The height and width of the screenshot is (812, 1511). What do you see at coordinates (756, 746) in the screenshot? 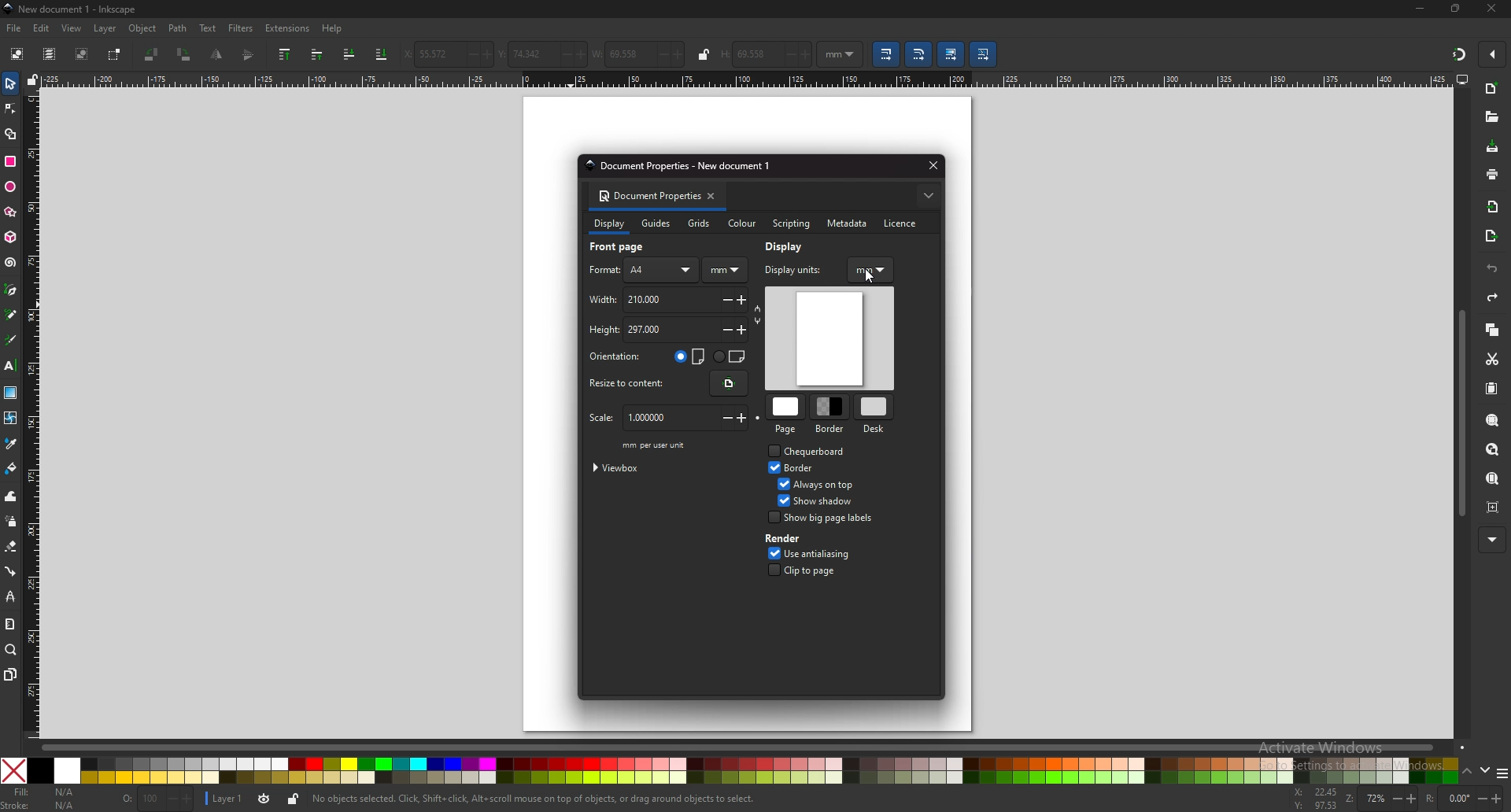
I see `scroll bar` at bounding box center [756, 746].